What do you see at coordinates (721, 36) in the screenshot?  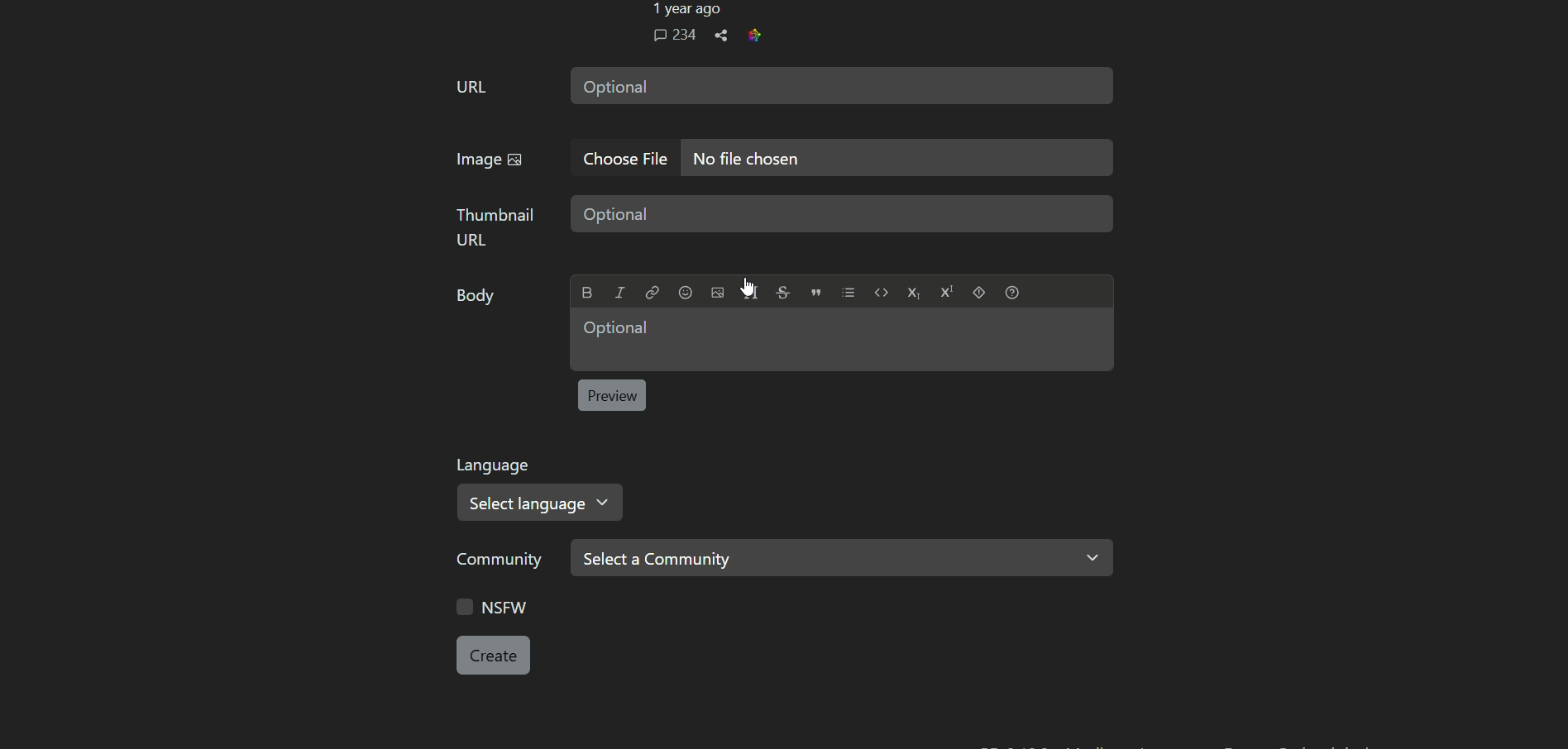 I see `Share` at bounding box center [721, 36].